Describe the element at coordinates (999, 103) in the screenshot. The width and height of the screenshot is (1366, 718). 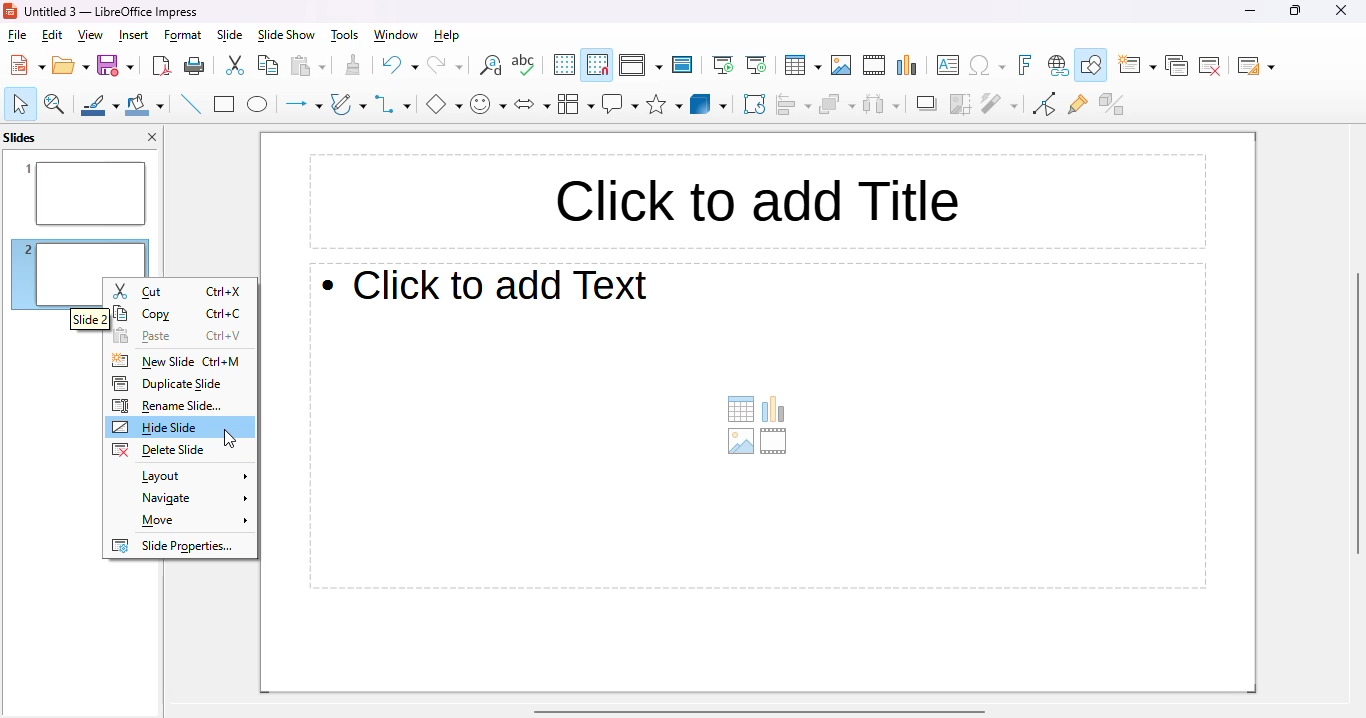
I see `filter` at that location.